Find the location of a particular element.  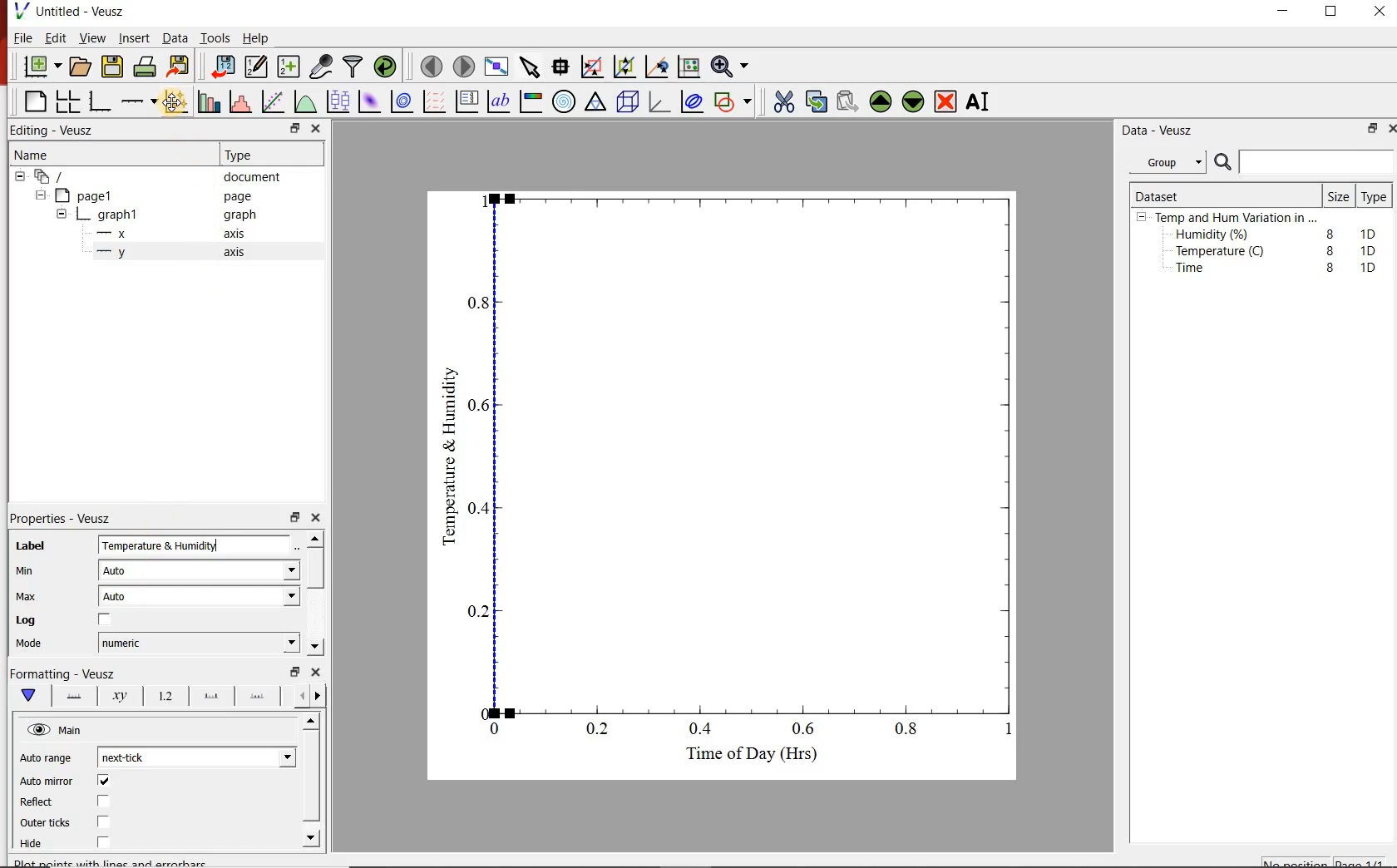

view plot full screen is located at coordinates (497, 67).